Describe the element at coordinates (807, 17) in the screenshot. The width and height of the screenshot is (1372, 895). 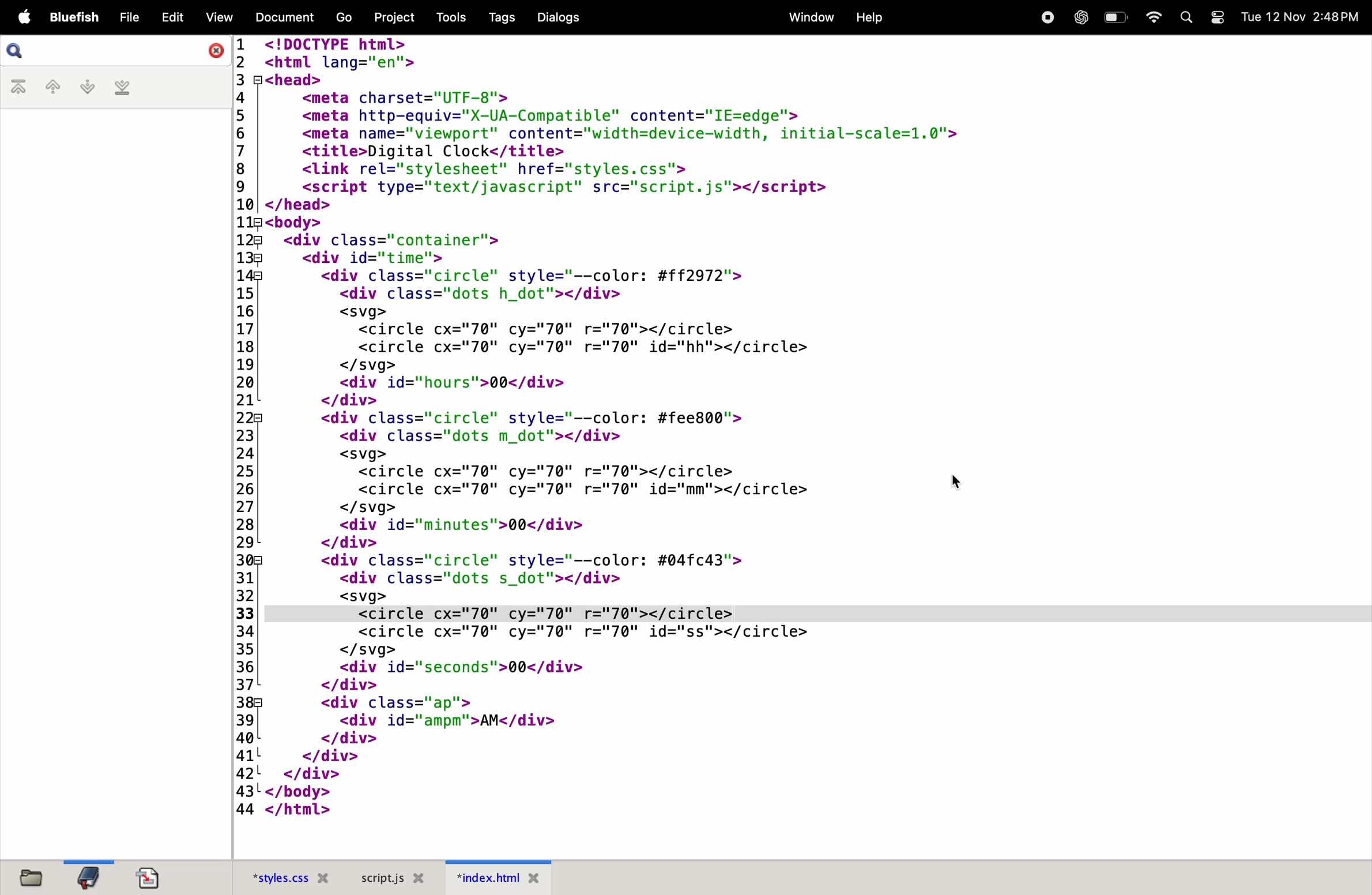
I see `window` at that location.